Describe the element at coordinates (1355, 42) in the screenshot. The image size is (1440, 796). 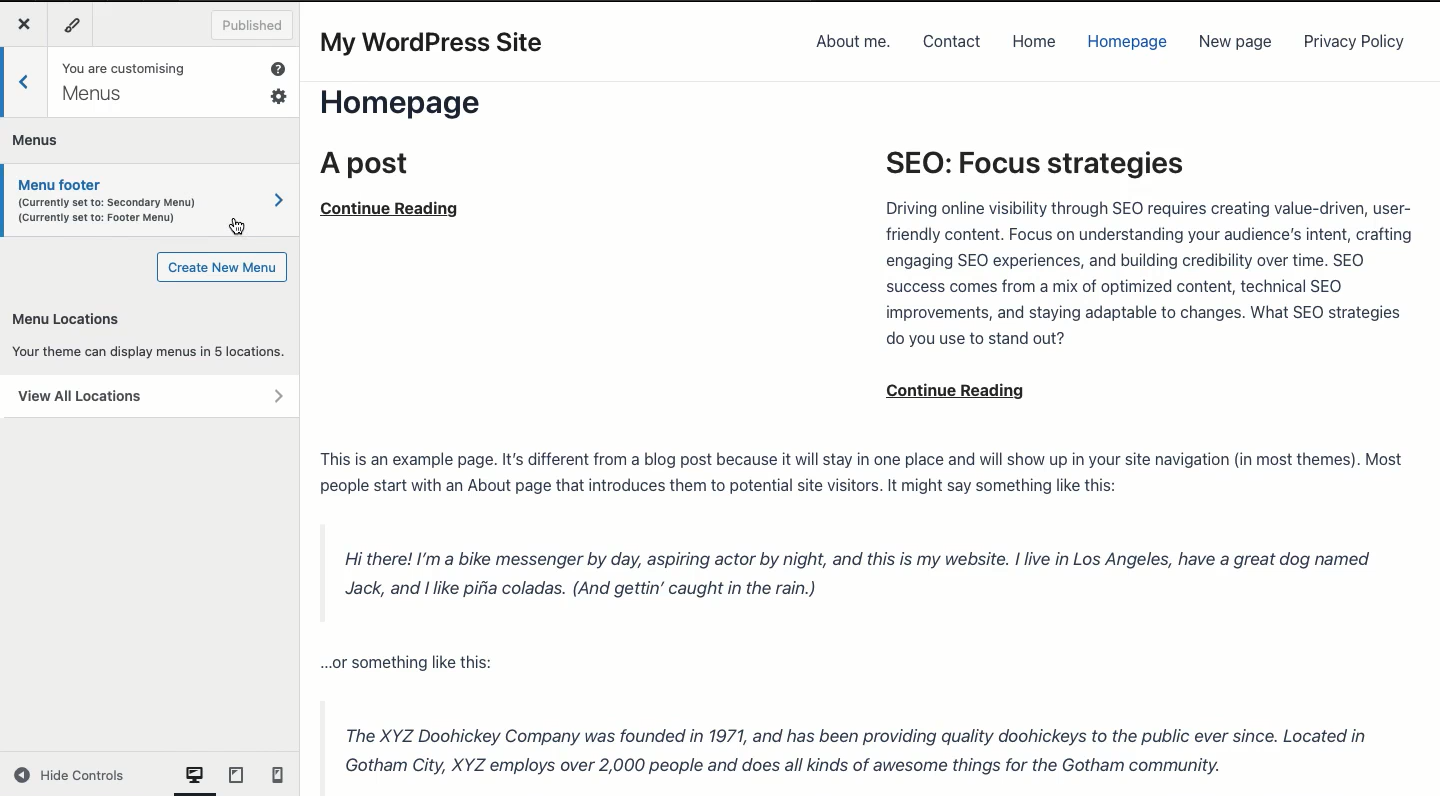
I see `Privacy policy ` at that location.